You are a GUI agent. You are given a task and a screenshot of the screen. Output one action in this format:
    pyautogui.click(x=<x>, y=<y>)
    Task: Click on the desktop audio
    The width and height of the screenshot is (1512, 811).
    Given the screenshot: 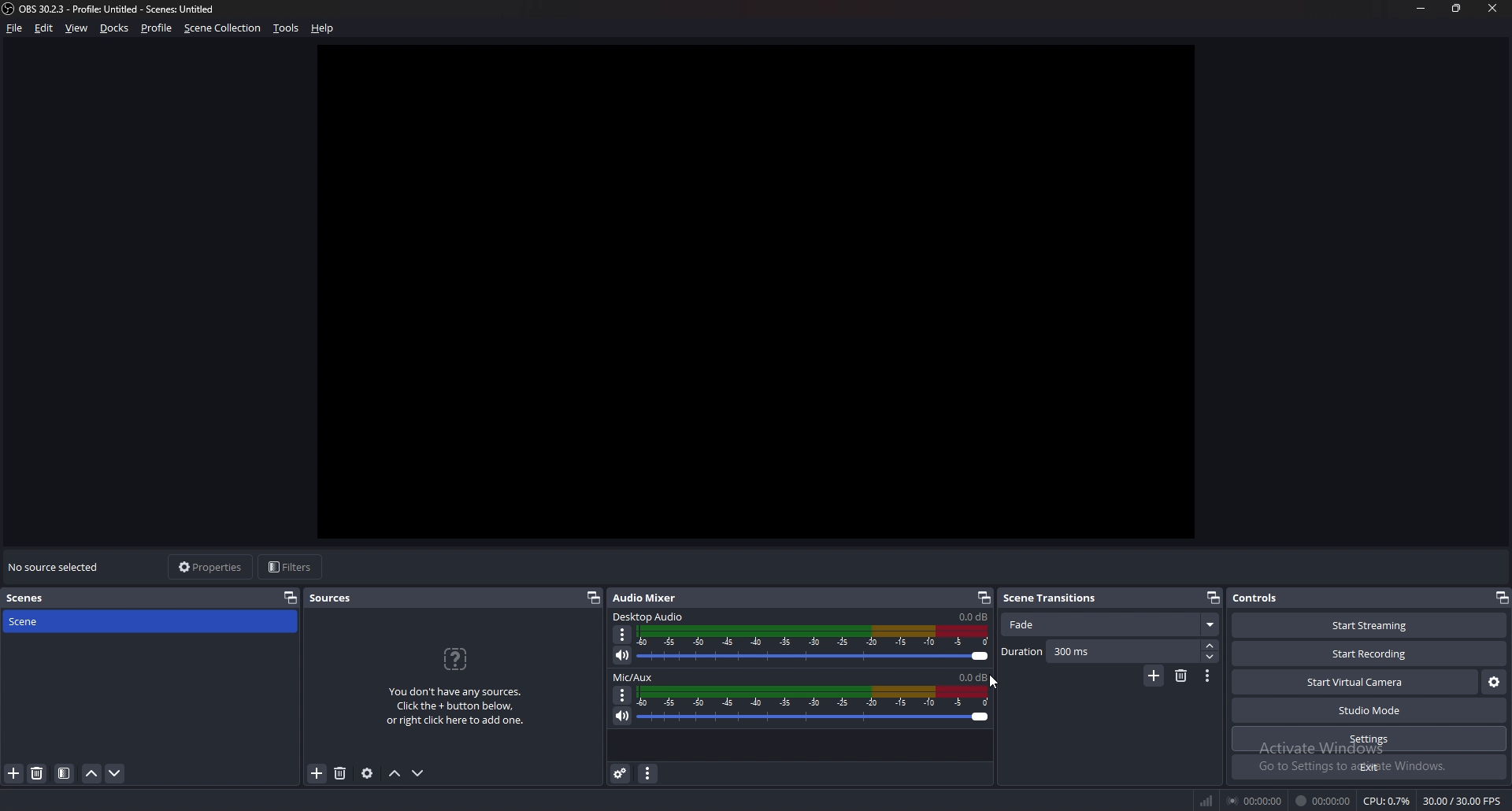 What is the action you would take?
    pyautogui.click(x=648, y=617)
    